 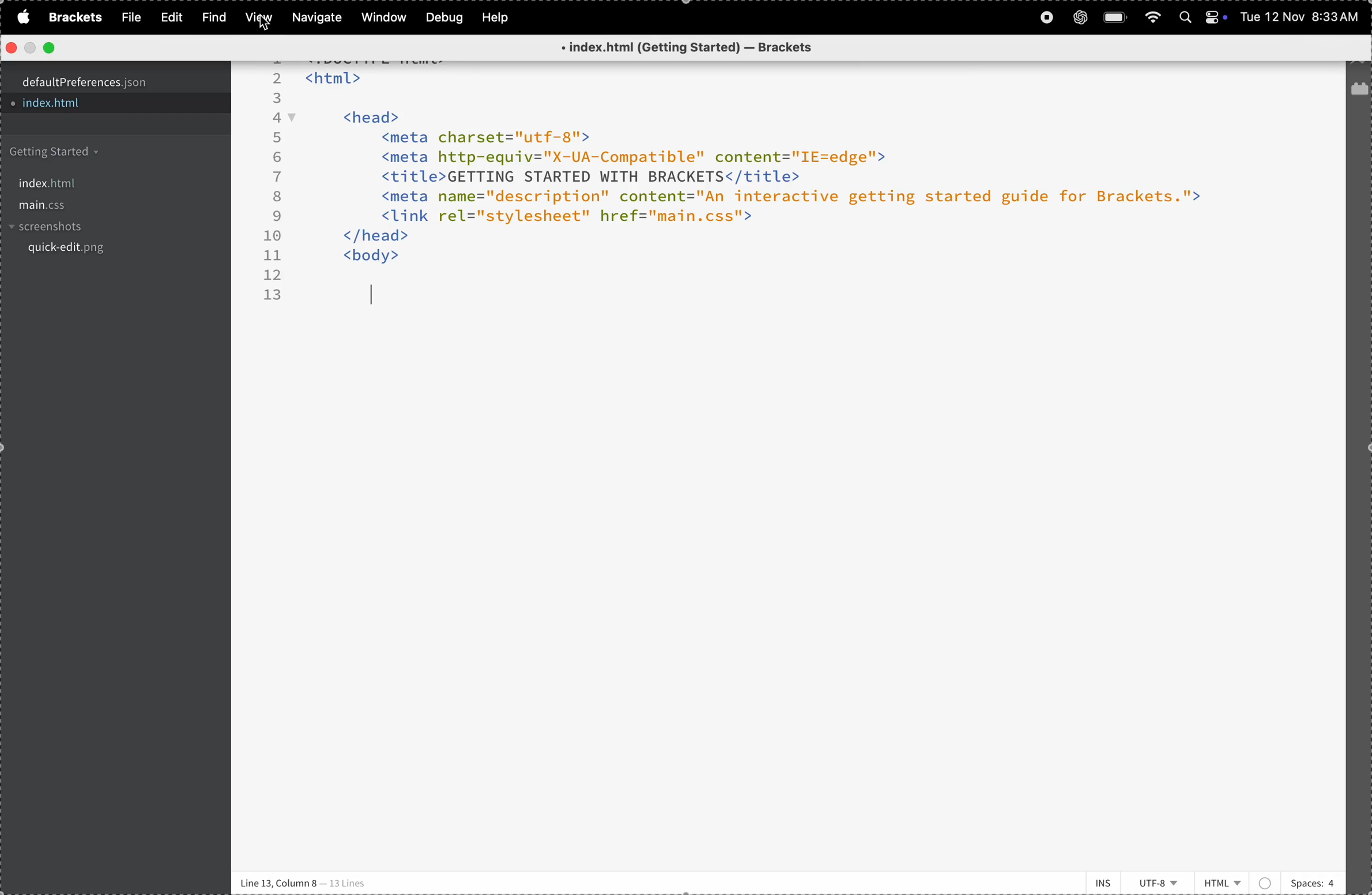 I want to click on date and time, so click(x=1301, y=18).